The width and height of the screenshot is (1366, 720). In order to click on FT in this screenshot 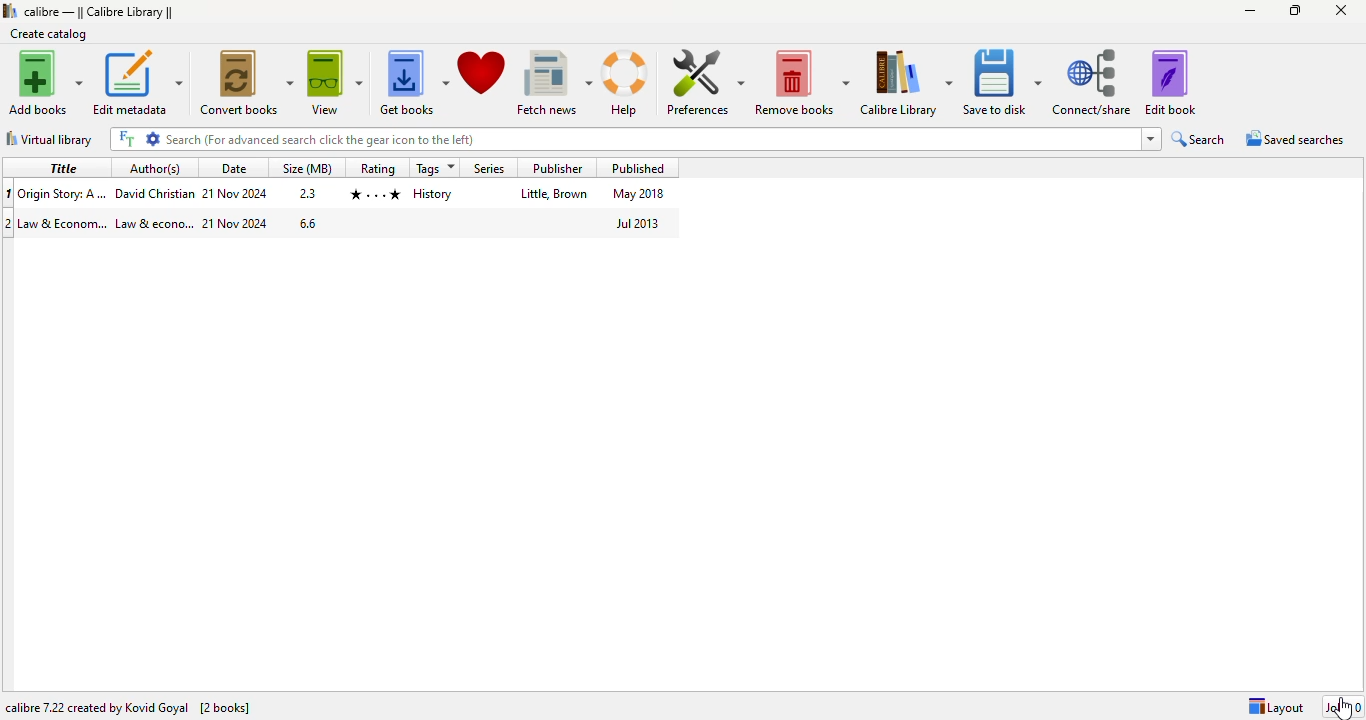, I will do `click(127, 138)`.